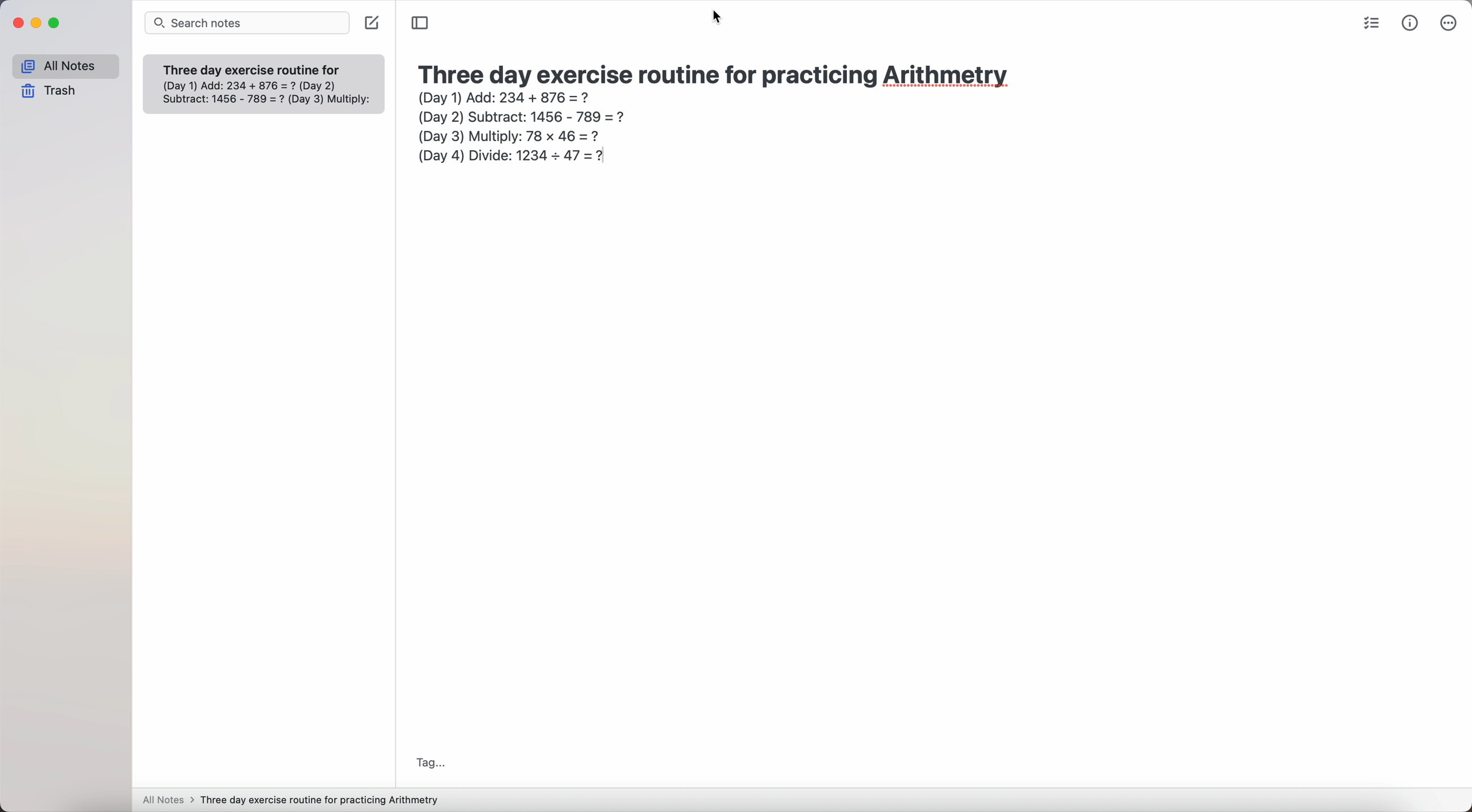 This screenshot has width=1472, height=812. What do you see at coordinates (323, 800) in the screenshot?
I see `Three day exercise routine for practicing Arithmetry` at bounding box center [323, 800].